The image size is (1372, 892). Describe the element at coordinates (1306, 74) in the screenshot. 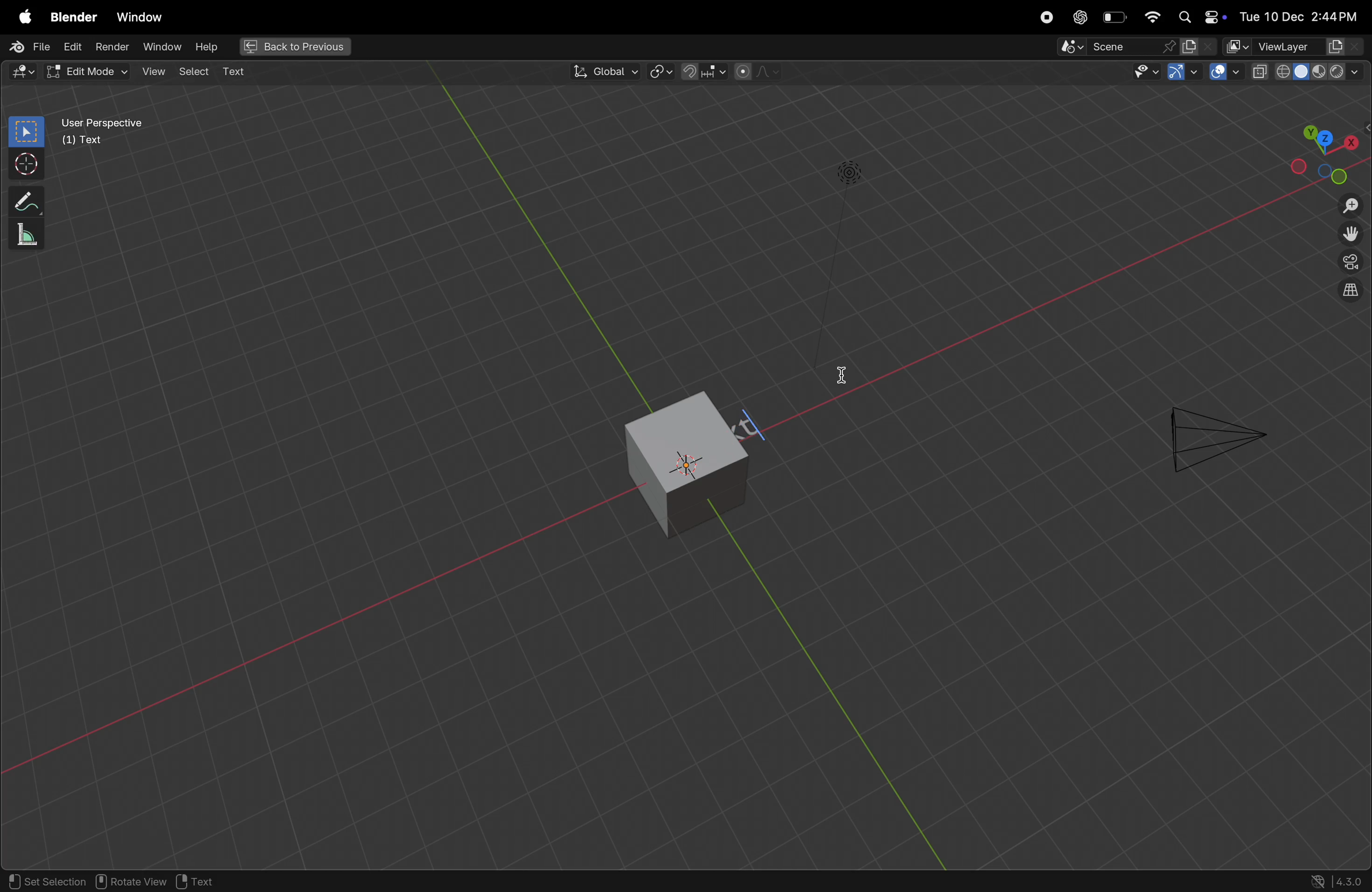

I see `View shading` at that location.